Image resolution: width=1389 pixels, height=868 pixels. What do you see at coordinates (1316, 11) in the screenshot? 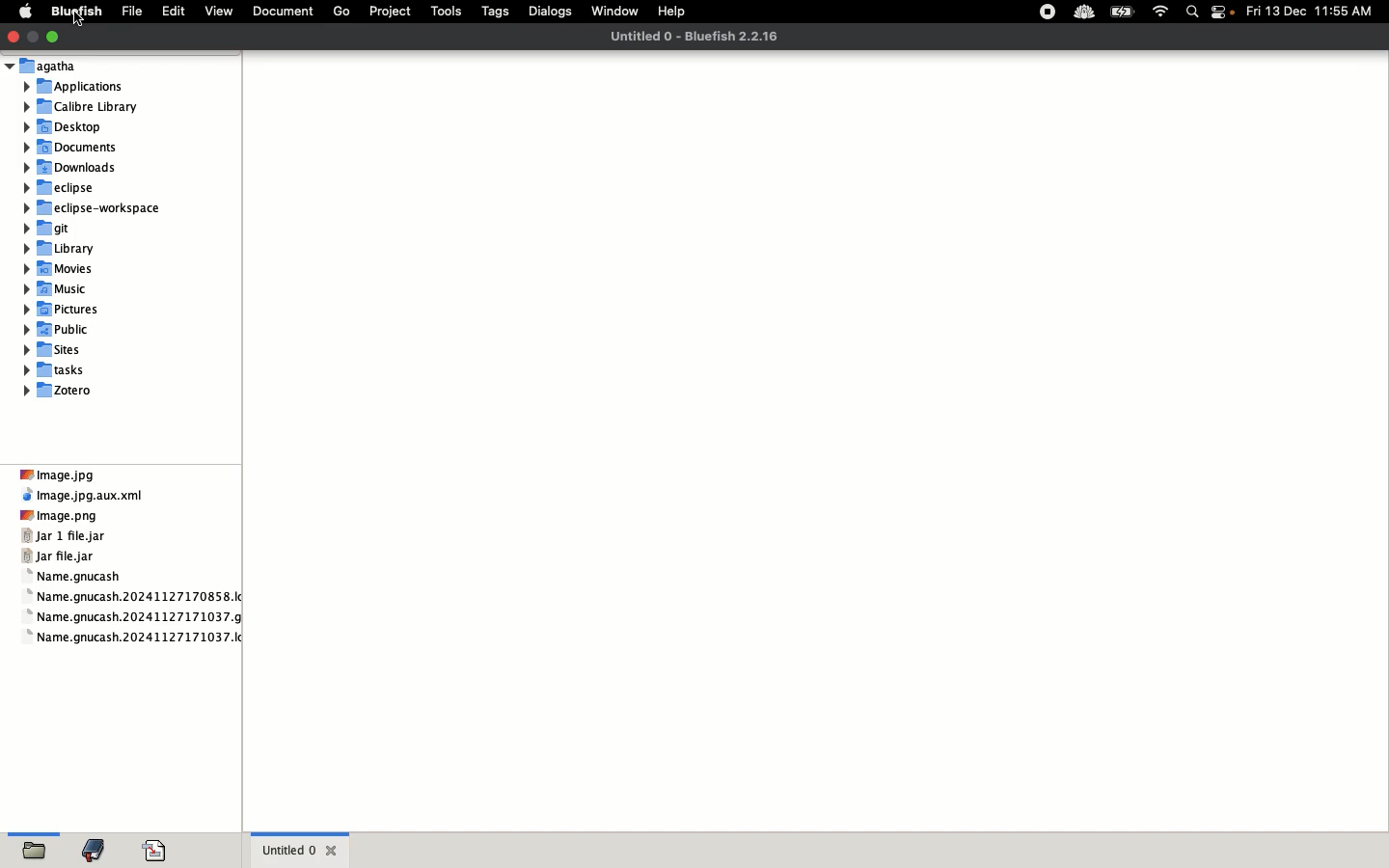
I see `Date time` at bounding box center [1316, 11].